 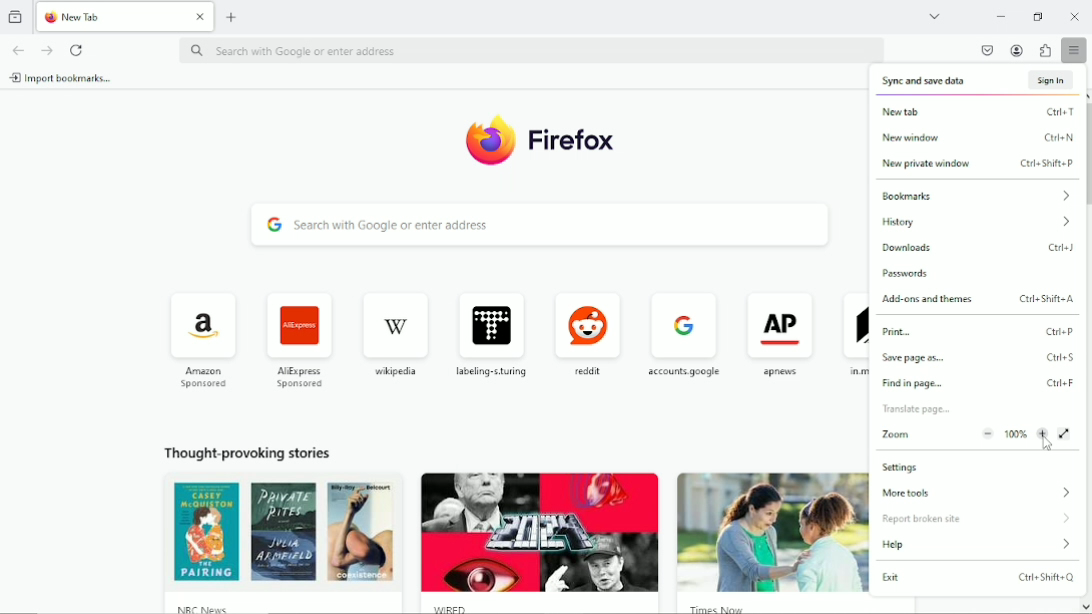 What do you see at coordinates (979, 332) in the screenshot?
I see `Print` at bounding box center [979, 332].